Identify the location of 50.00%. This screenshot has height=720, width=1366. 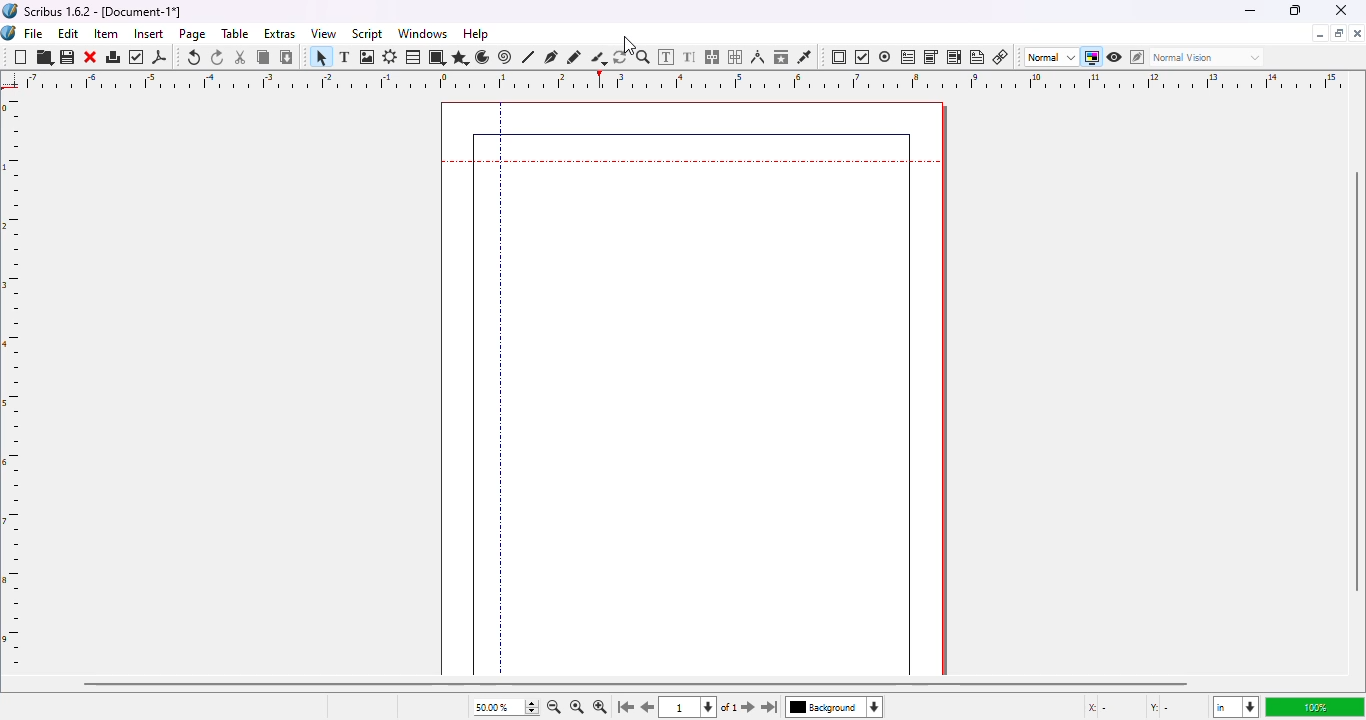
(487, 707).